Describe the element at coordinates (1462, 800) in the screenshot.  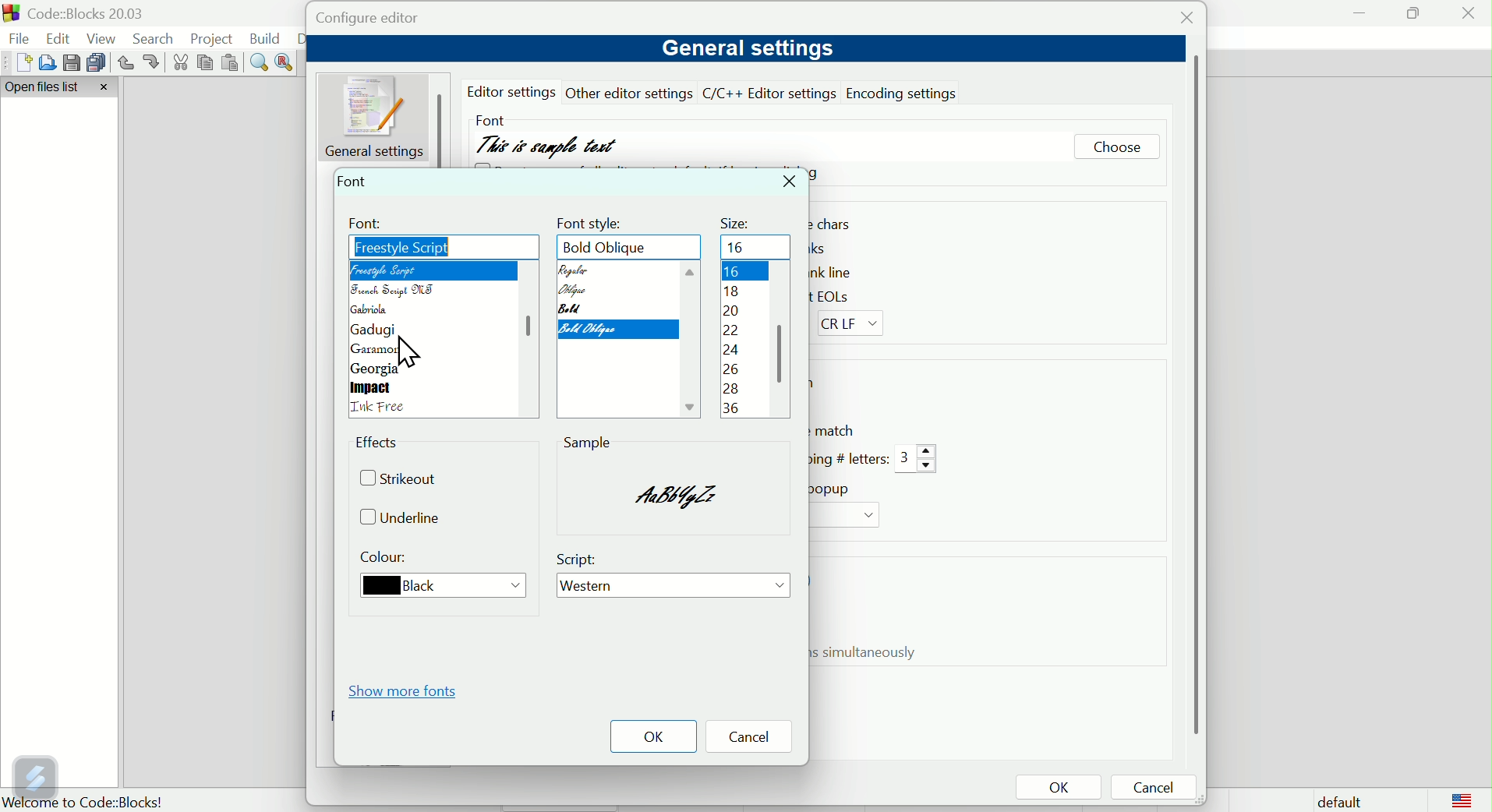
I see `logo` at that location.